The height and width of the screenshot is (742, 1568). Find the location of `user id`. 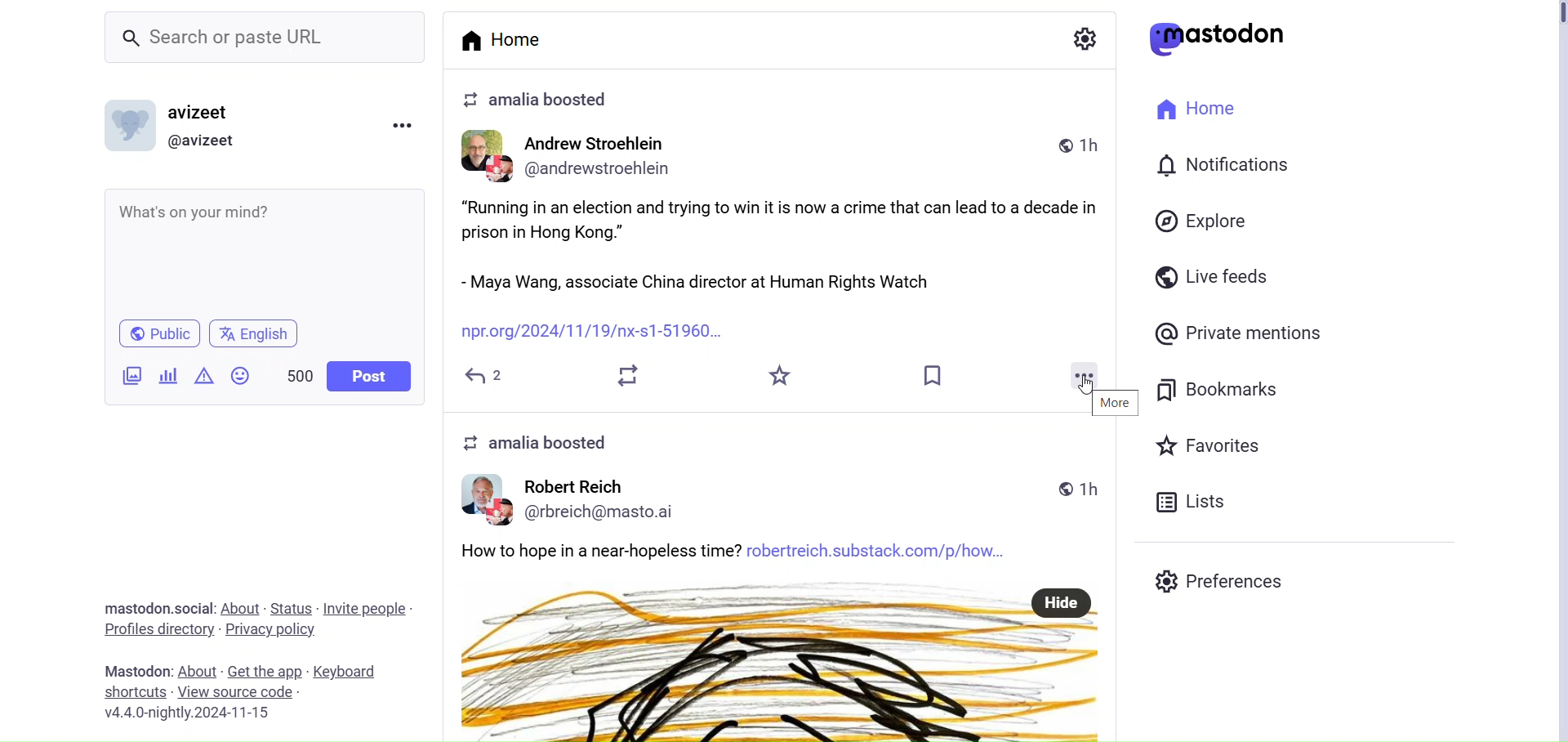

user id is located at coordinates (608, 172).